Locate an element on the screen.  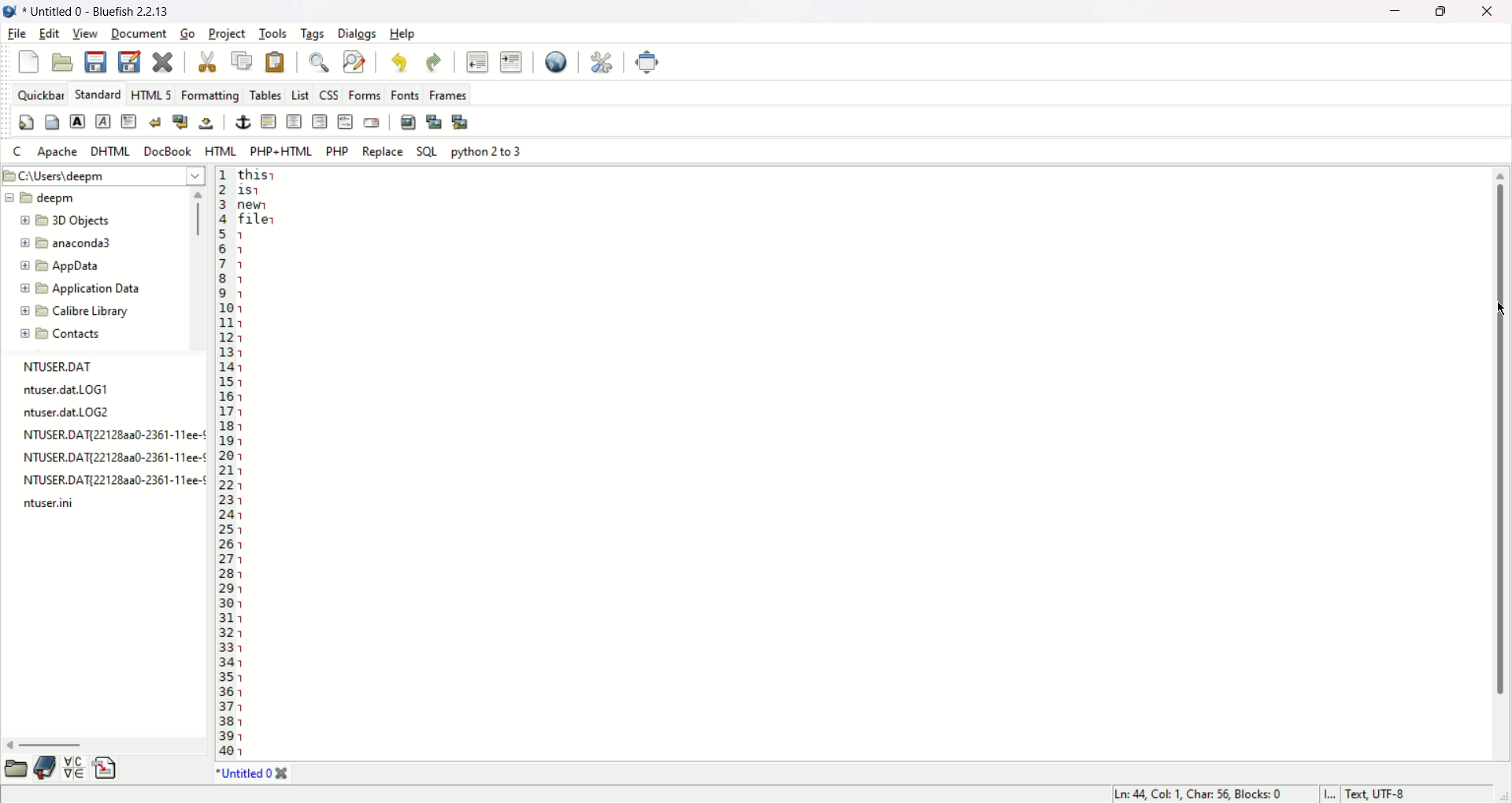
view is located at coordinates (86, 33).